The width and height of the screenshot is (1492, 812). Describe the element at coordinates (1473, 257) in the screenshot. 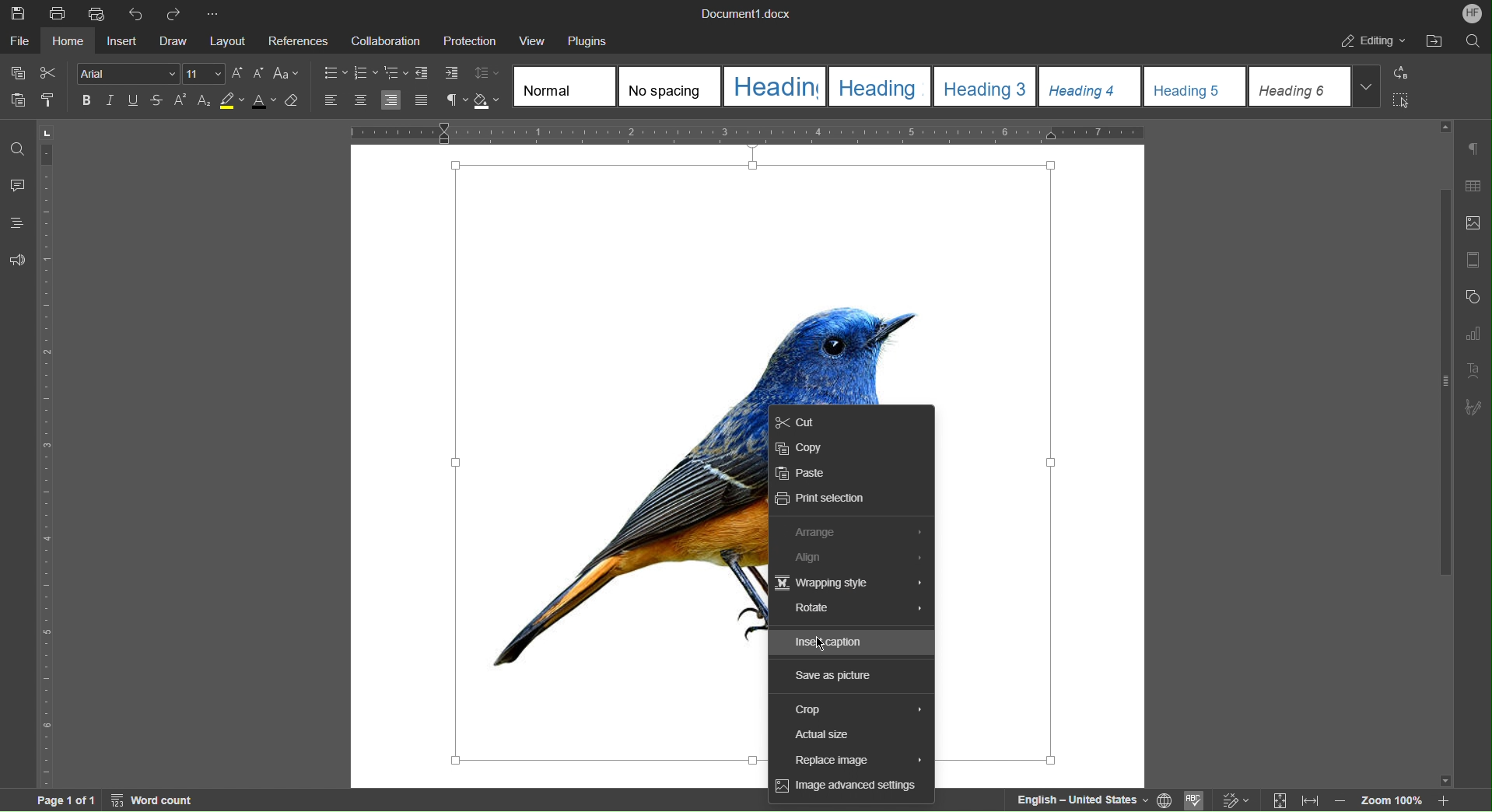

I see `Page Template` at that location.